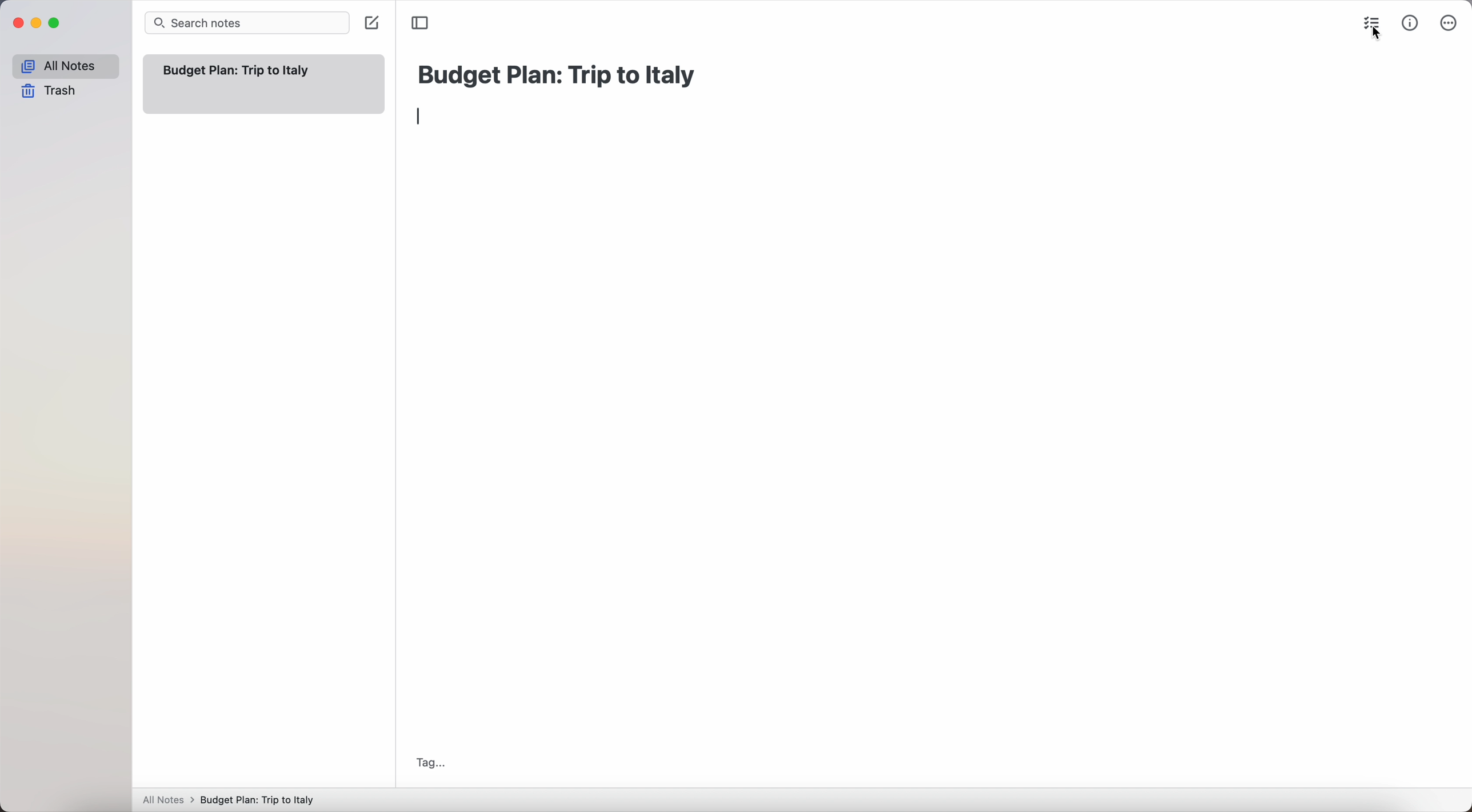 The height and width of the screenshot is (812, 1472). What do you see at coordinates (421, 22) in the screenshot?
I see `toggle sidebar` at bounding box center [421, 22].